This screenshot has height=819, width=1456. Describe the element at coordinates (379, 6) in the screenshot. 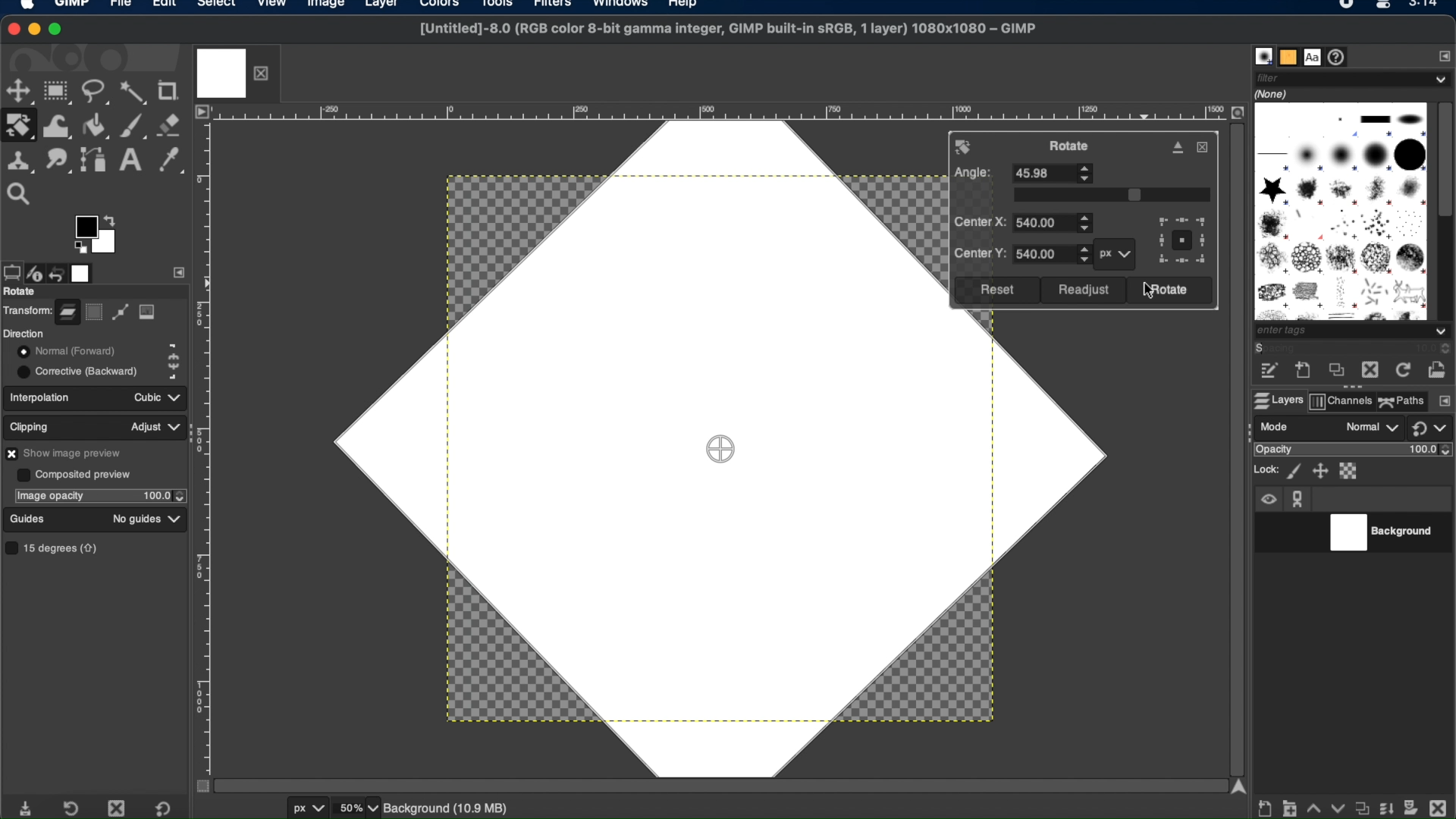

I see `layer` at that location.